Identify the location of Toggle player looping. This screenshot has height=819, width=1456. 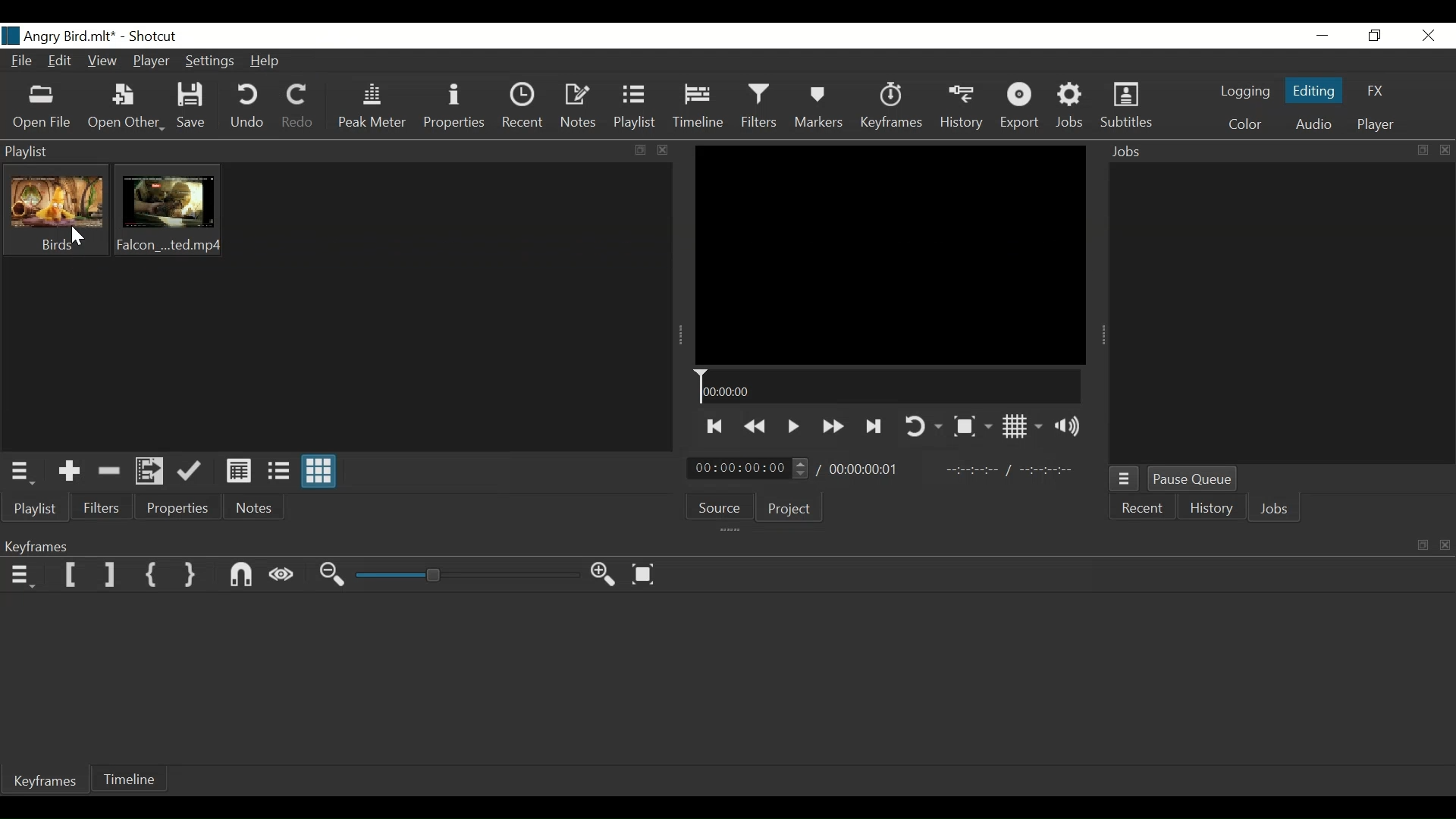
(925, 426).